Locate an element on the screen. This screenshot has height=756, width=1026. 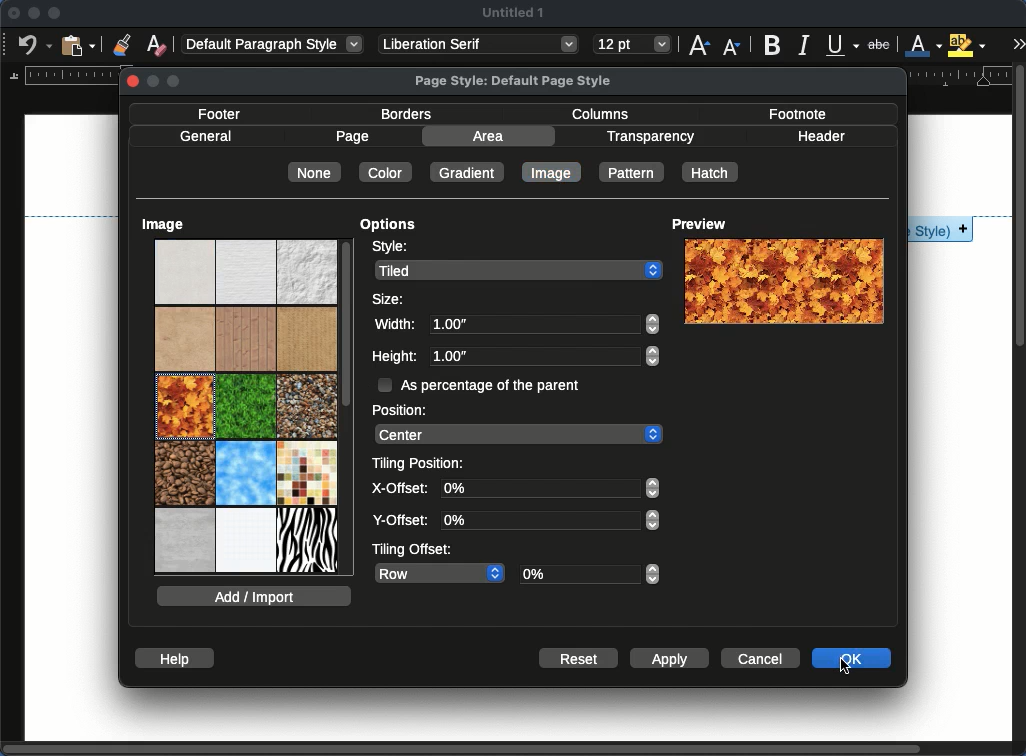
ok is located at coordinates (854, 658).